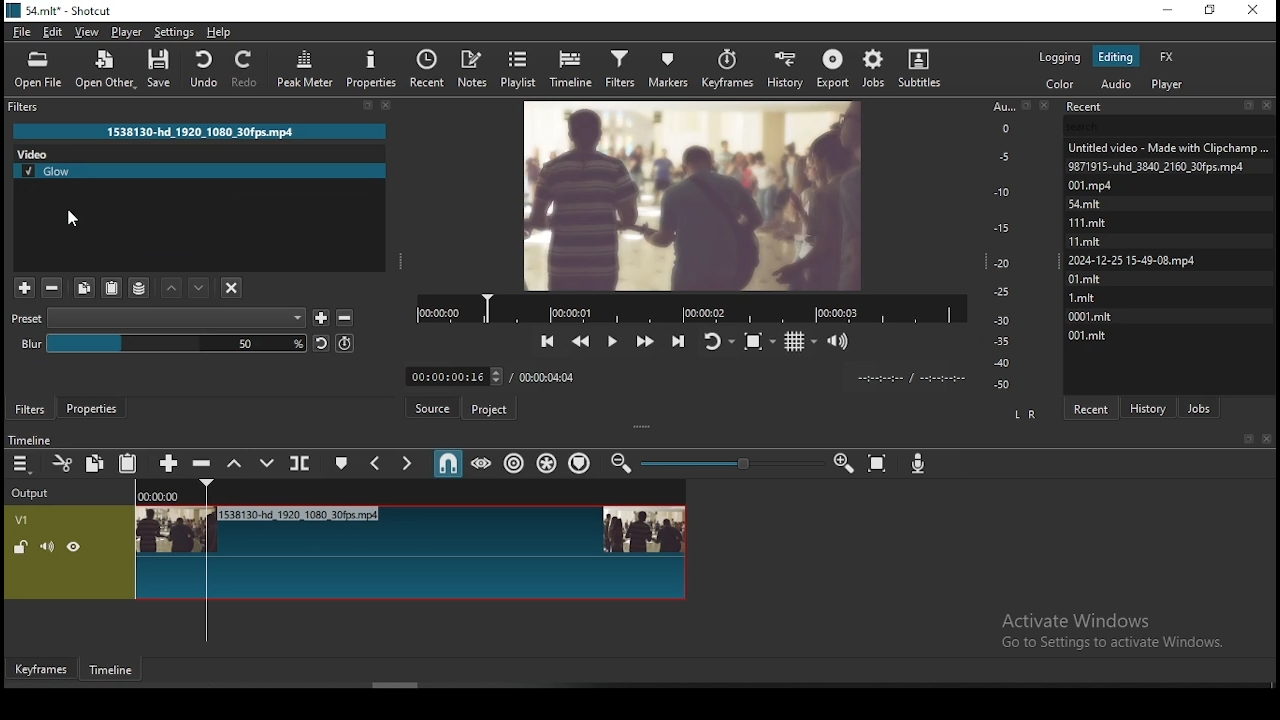 Image resolution: width=1280 pixels, height=720 pixels. Describe the element at coordinates (471, 68) in the screenshot. I see `notes` at that location.